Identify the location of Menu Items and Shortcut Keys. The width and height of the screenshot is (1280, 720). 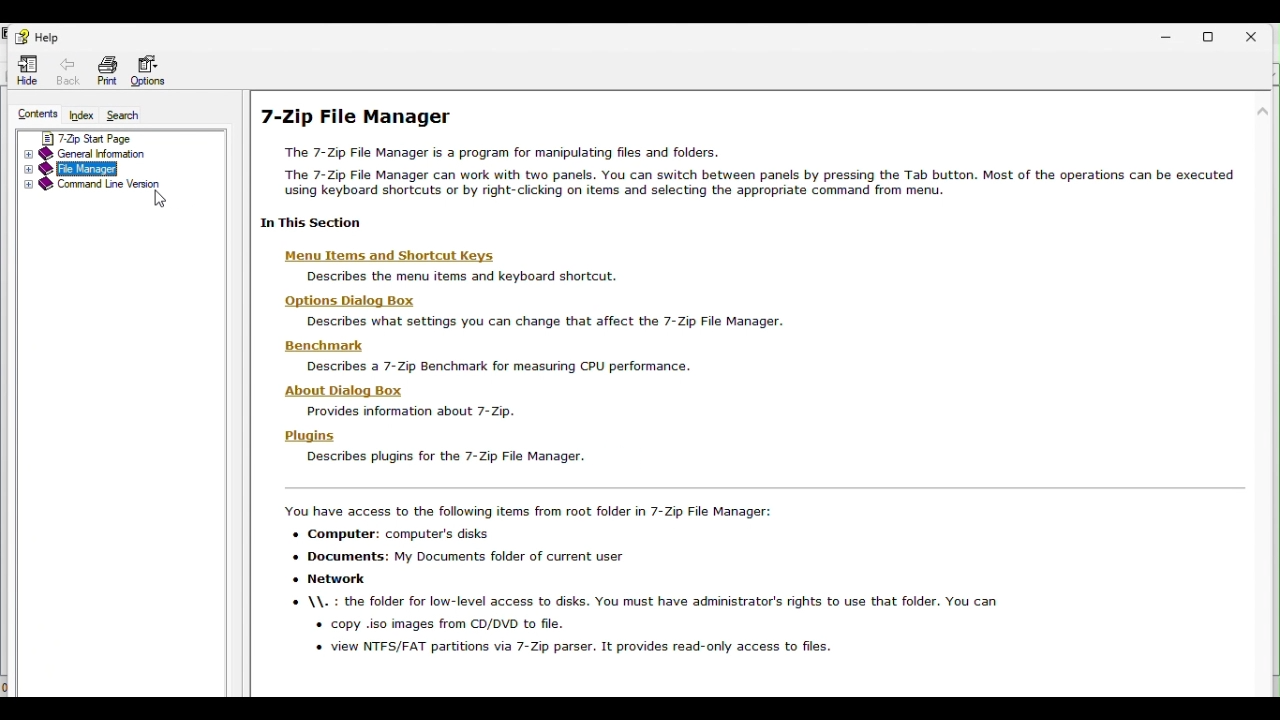
(396, 257).